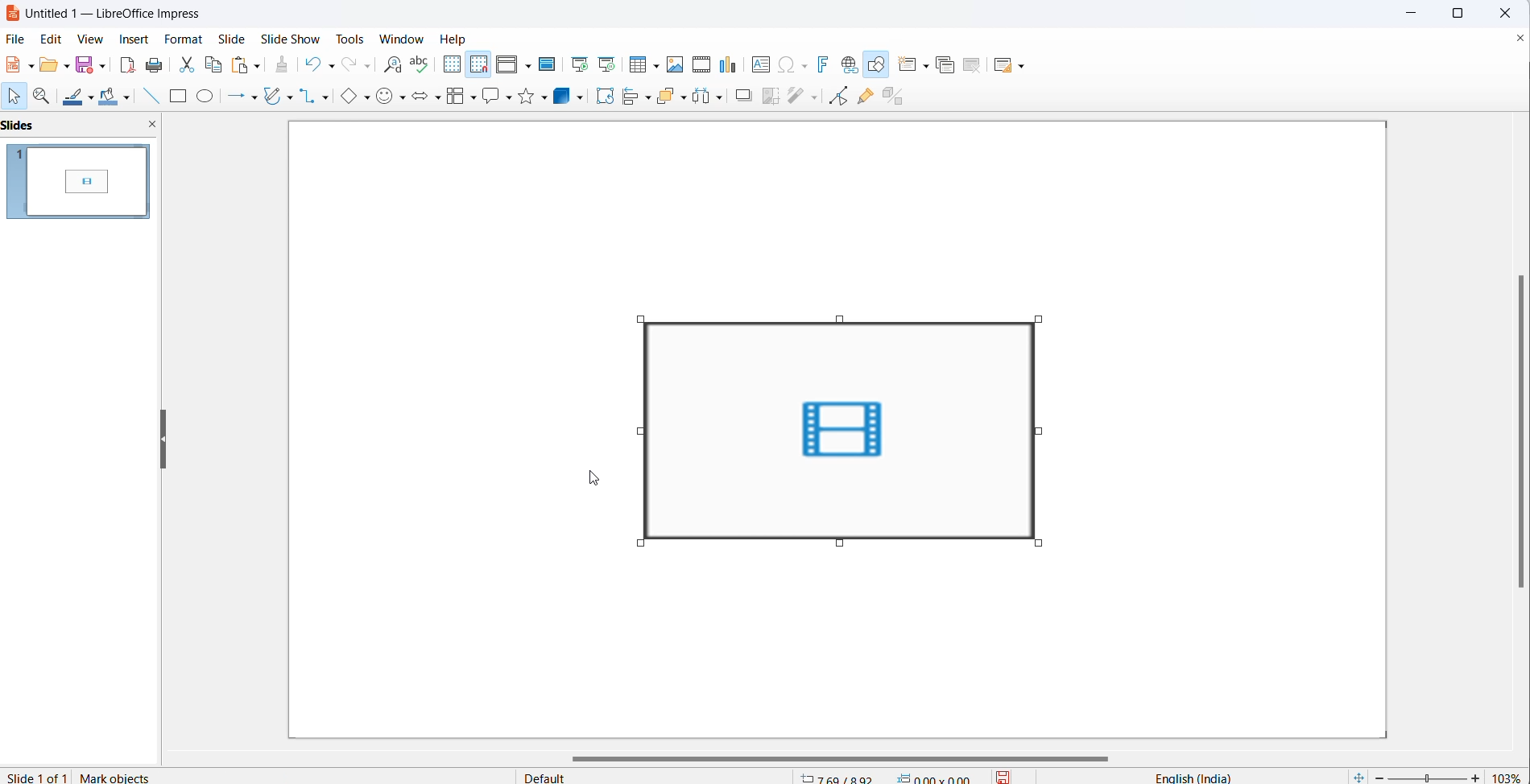 Image resolution: width=1530 pixels, height=784 pixels. What do you see at coordinates (349, 65) in the screenshot?
I see `redo` at bounding box center [349, 65].